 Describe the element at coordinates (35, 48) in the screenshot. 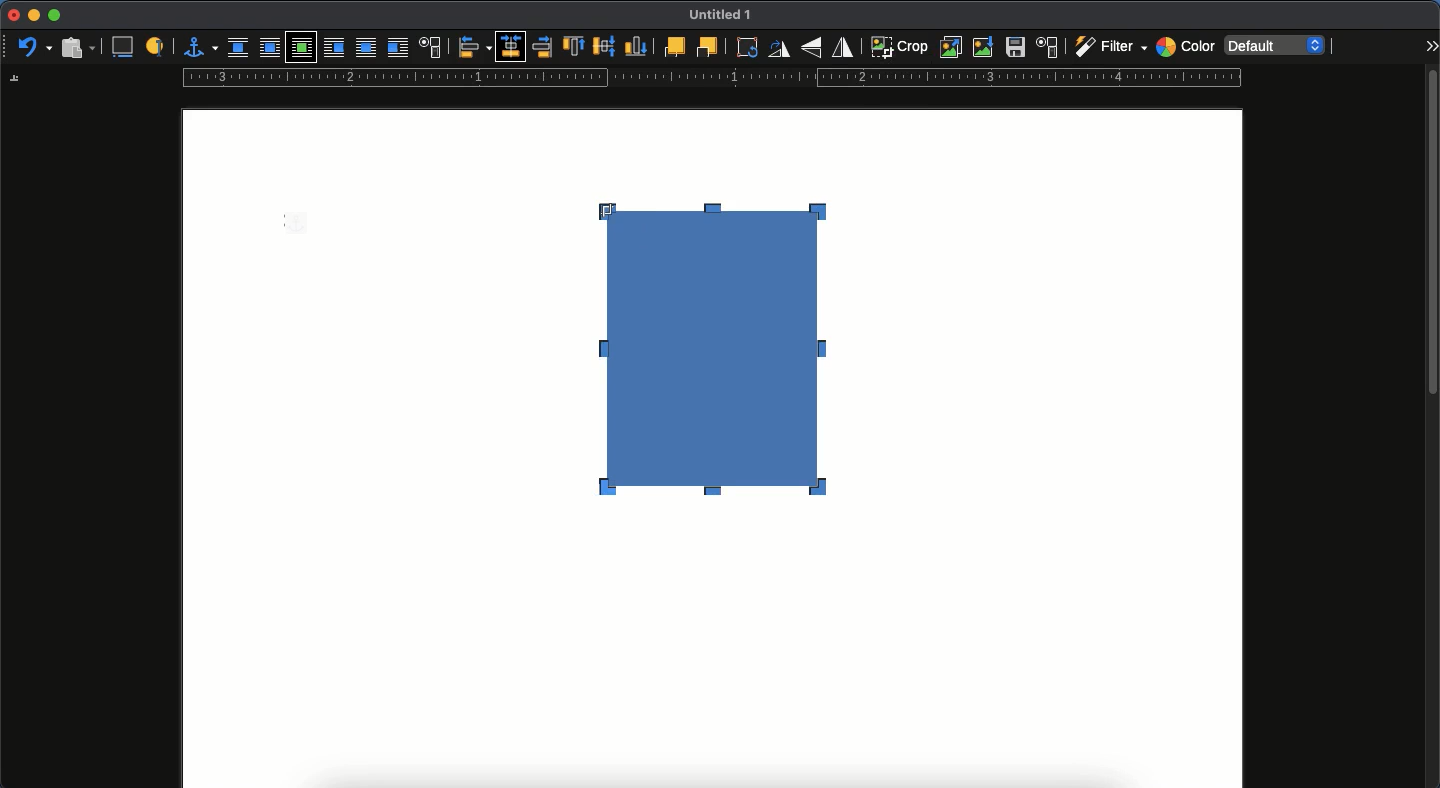

I see `undo` at that location.